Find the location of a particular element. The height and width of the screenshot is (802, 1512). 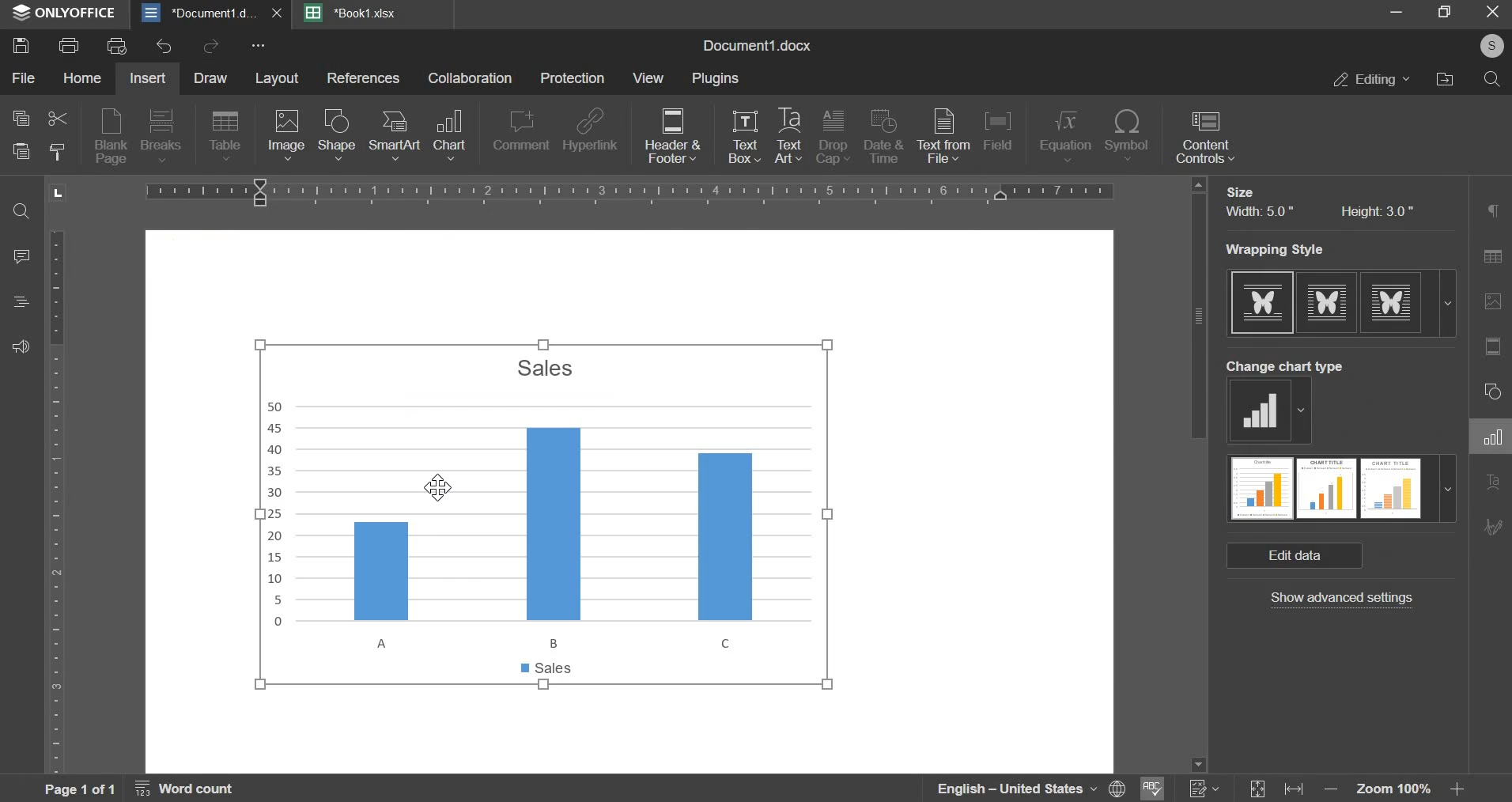

text from file is located at coordinates (943, 136).